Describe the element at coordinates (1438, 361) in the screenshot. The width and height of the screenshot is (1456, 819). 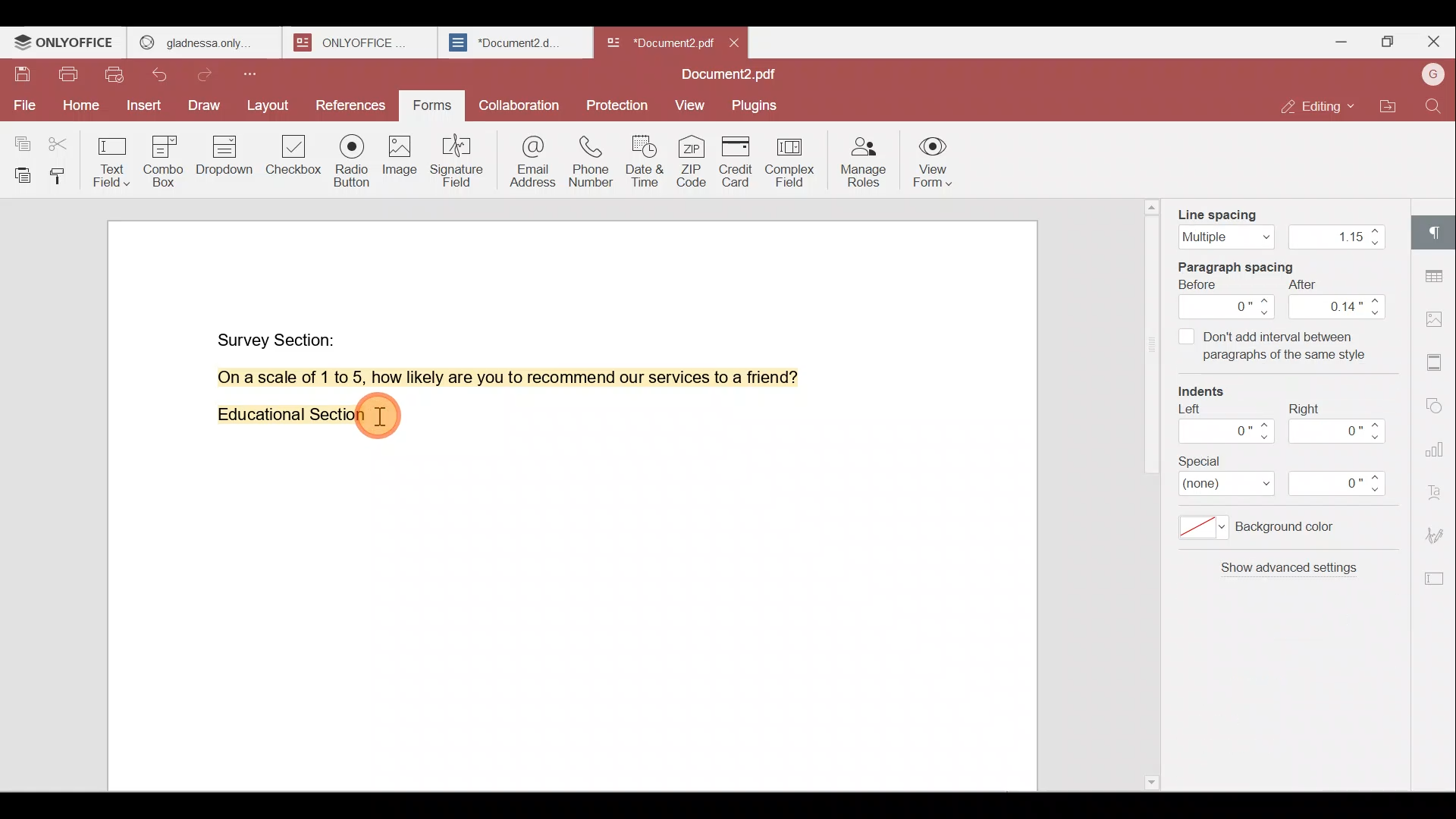
I see `Header & footer settings` at that location.